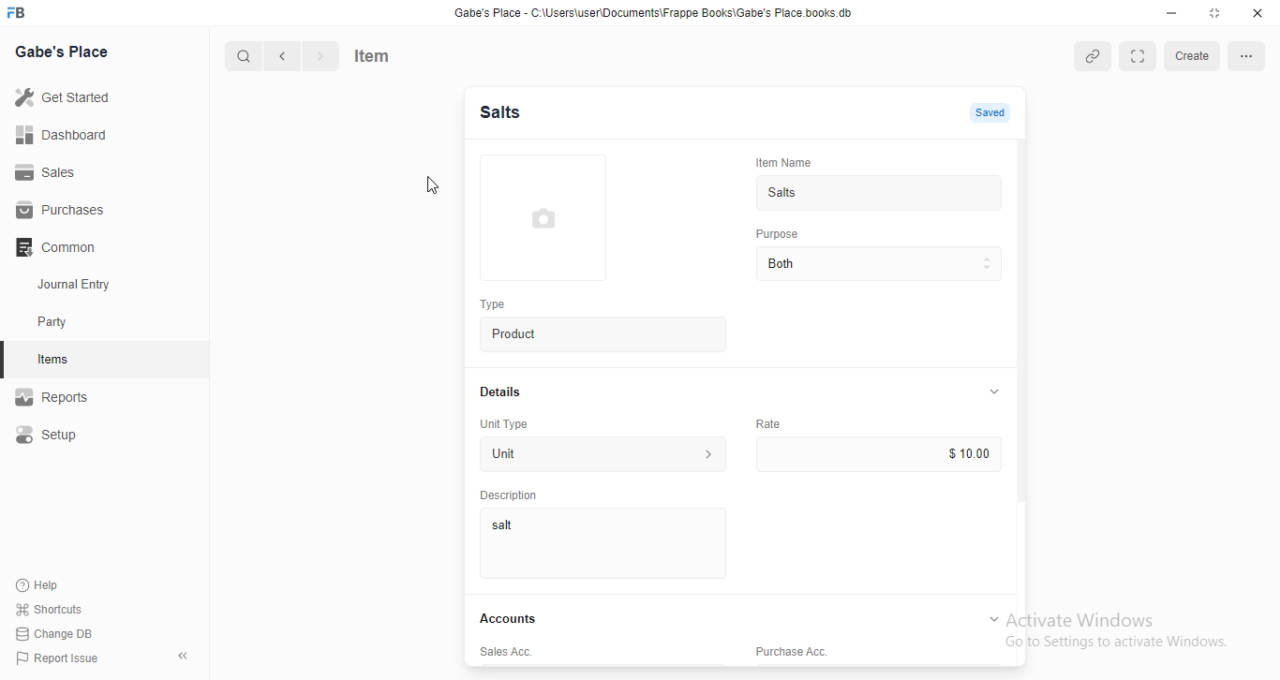 This screenshot has height=680, width=1280. I want to click on Sales, so click(52, 171).